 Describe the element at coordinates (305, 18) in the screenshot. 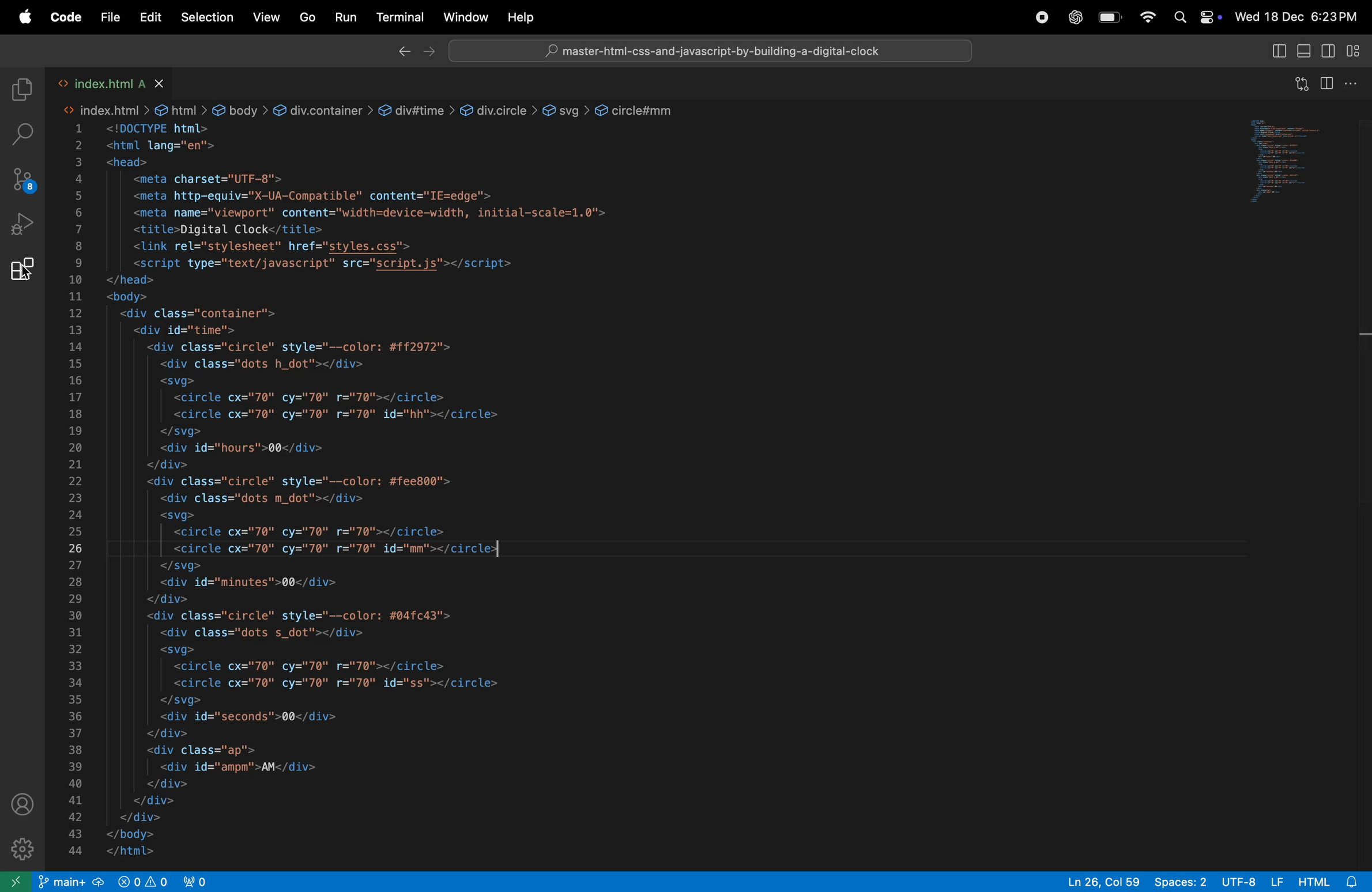

I see `go` at that location.